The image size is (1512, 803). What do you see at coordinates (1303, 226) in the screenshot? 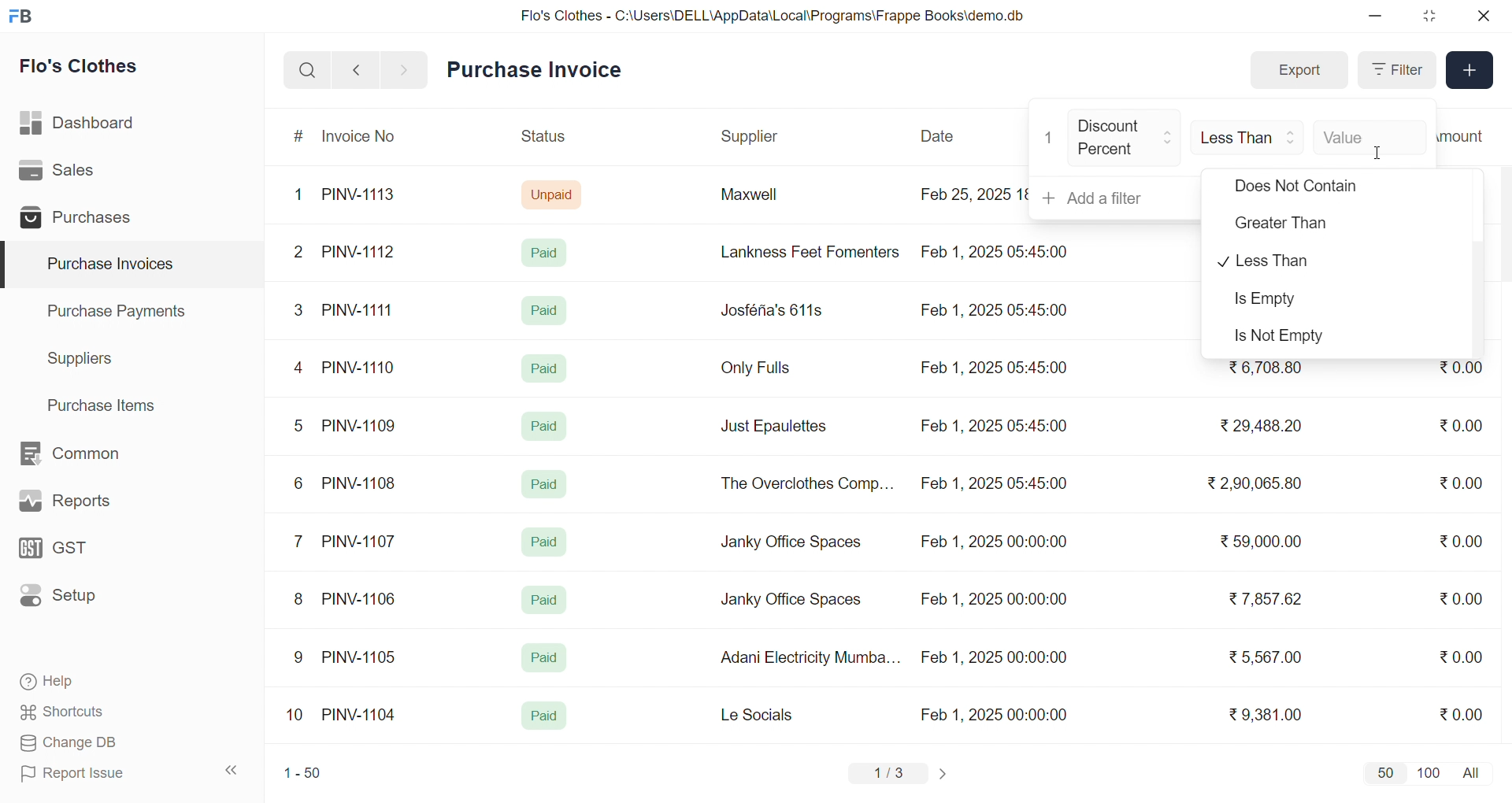
I see `Greater Than` at bounding box center [1303, 226].